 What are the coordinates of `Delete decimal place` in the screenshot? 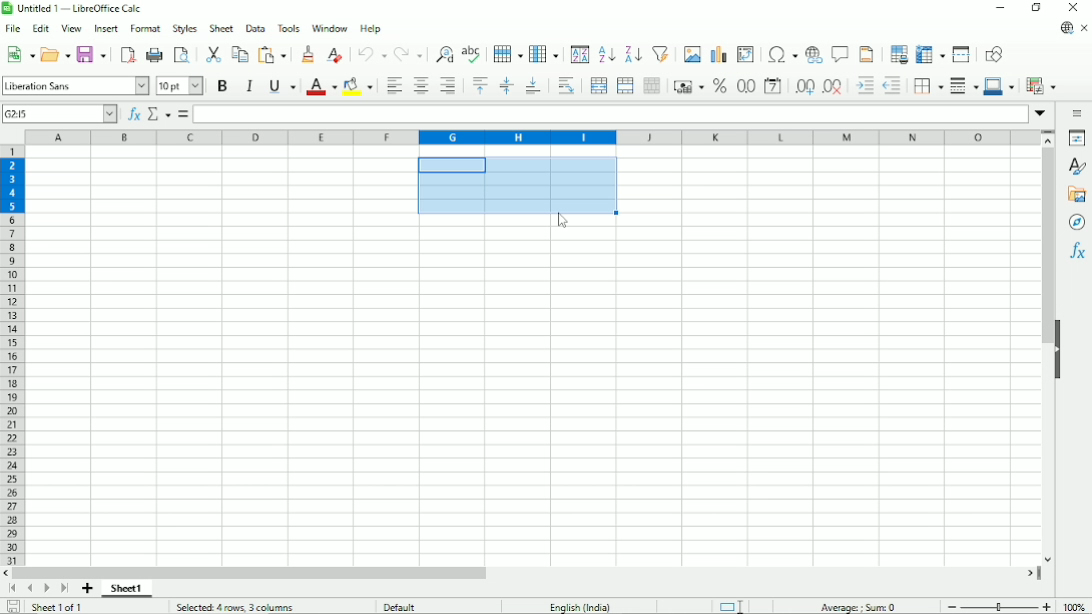 It's located at (833, 88).